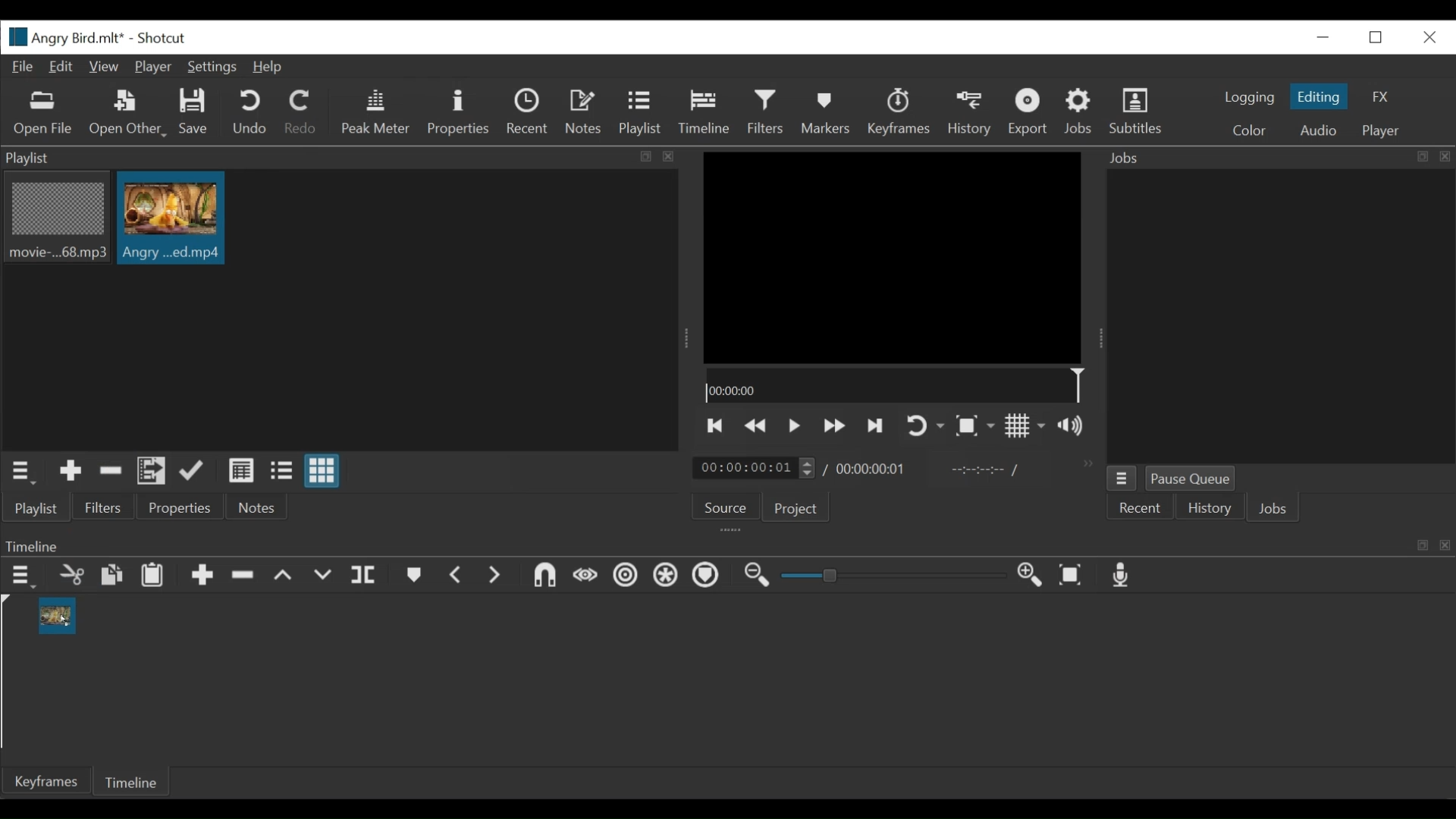 The height and width of the screenshot is (819, 1456). Describe the element at coordinates (127, 114) in the screenshot. I see `Open Other` at that location.